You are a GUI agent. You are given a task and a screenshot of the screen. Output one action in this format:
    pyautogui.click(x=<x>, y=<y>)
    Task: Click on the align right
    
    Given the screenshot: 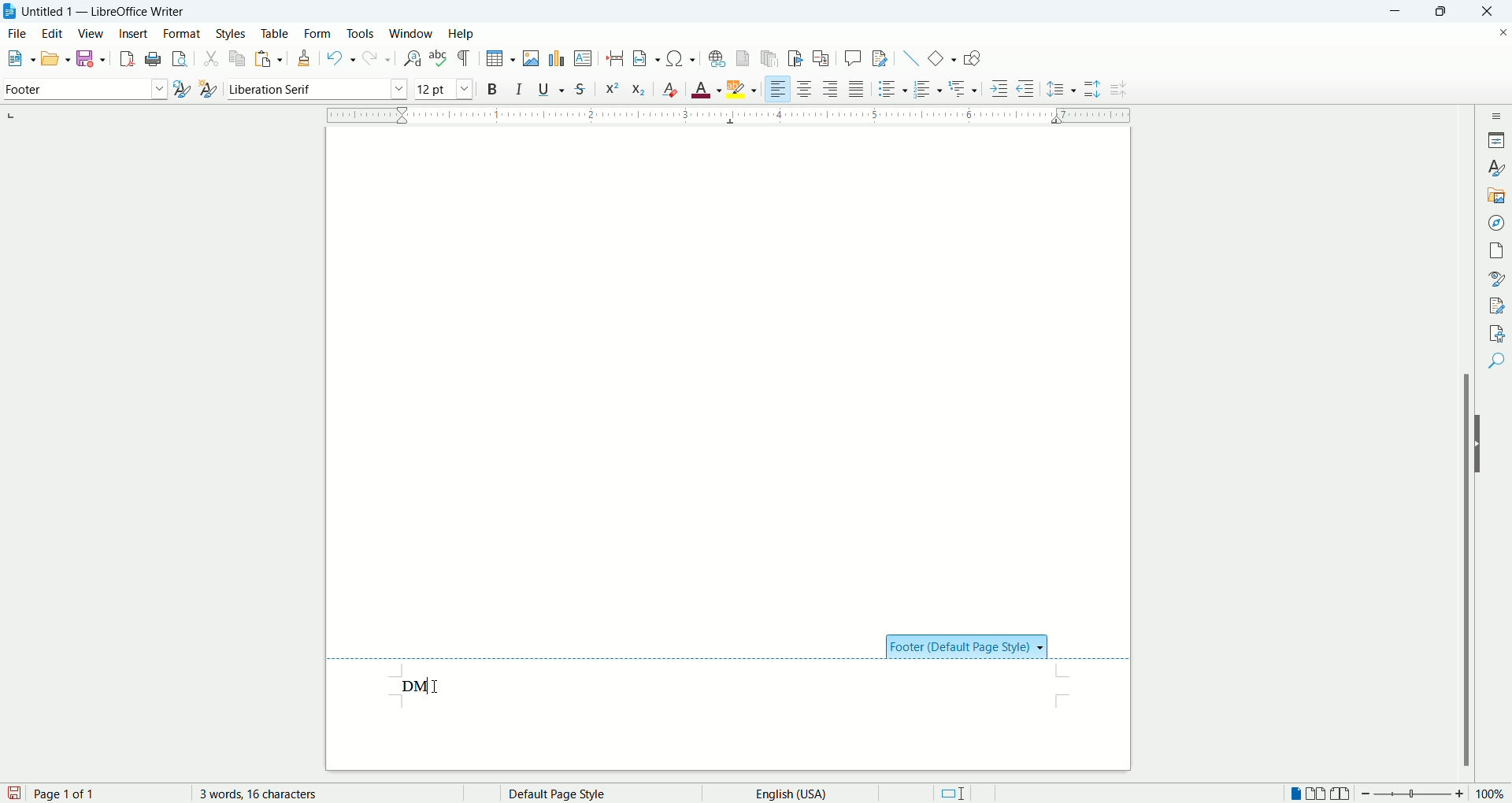 What is the action you would take?
    pyautogui.click(x=832, y=91)
    